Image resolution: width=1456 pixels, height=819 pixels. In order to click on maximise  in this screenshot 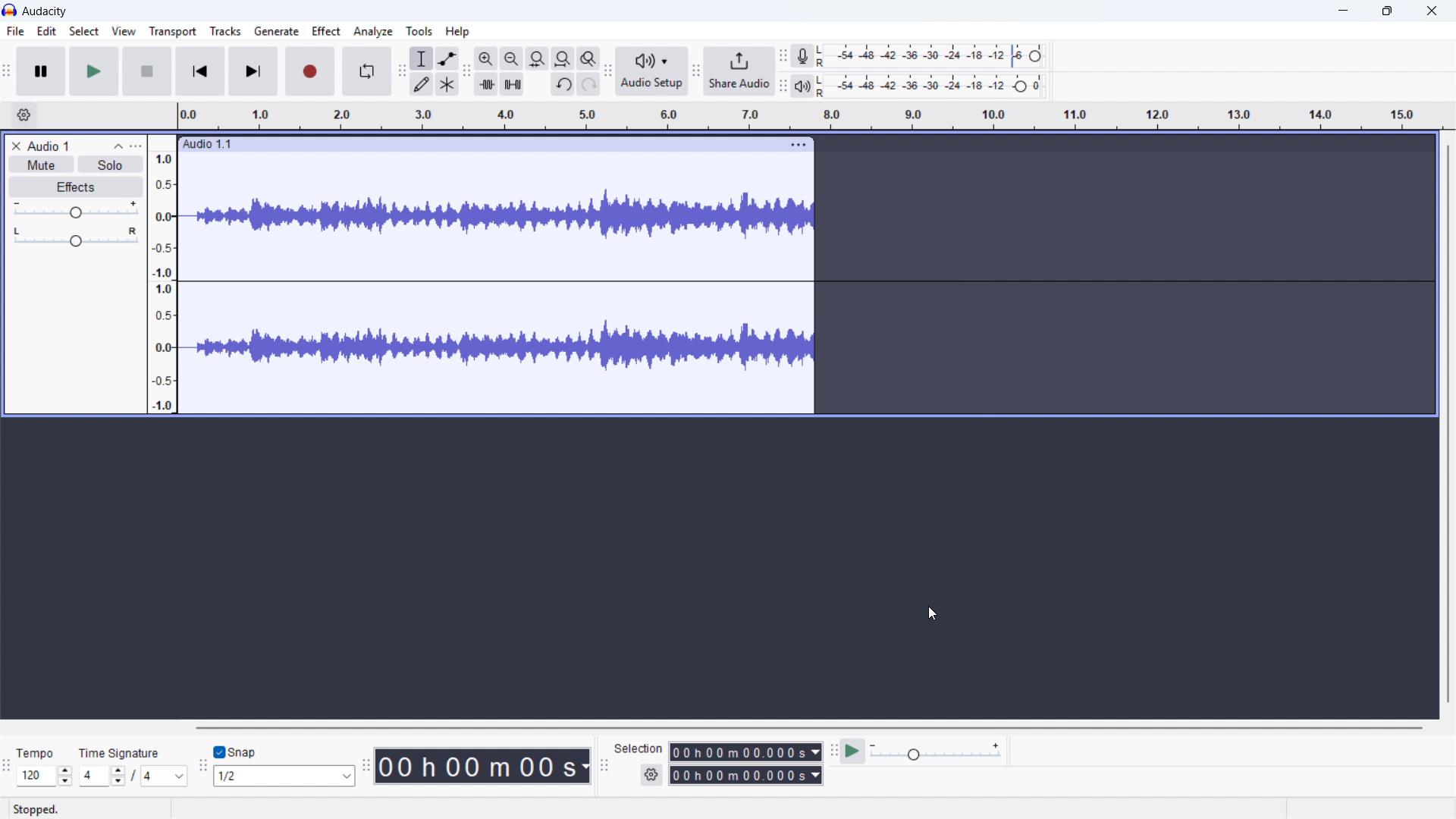, I will do `click(1388, 11)`.